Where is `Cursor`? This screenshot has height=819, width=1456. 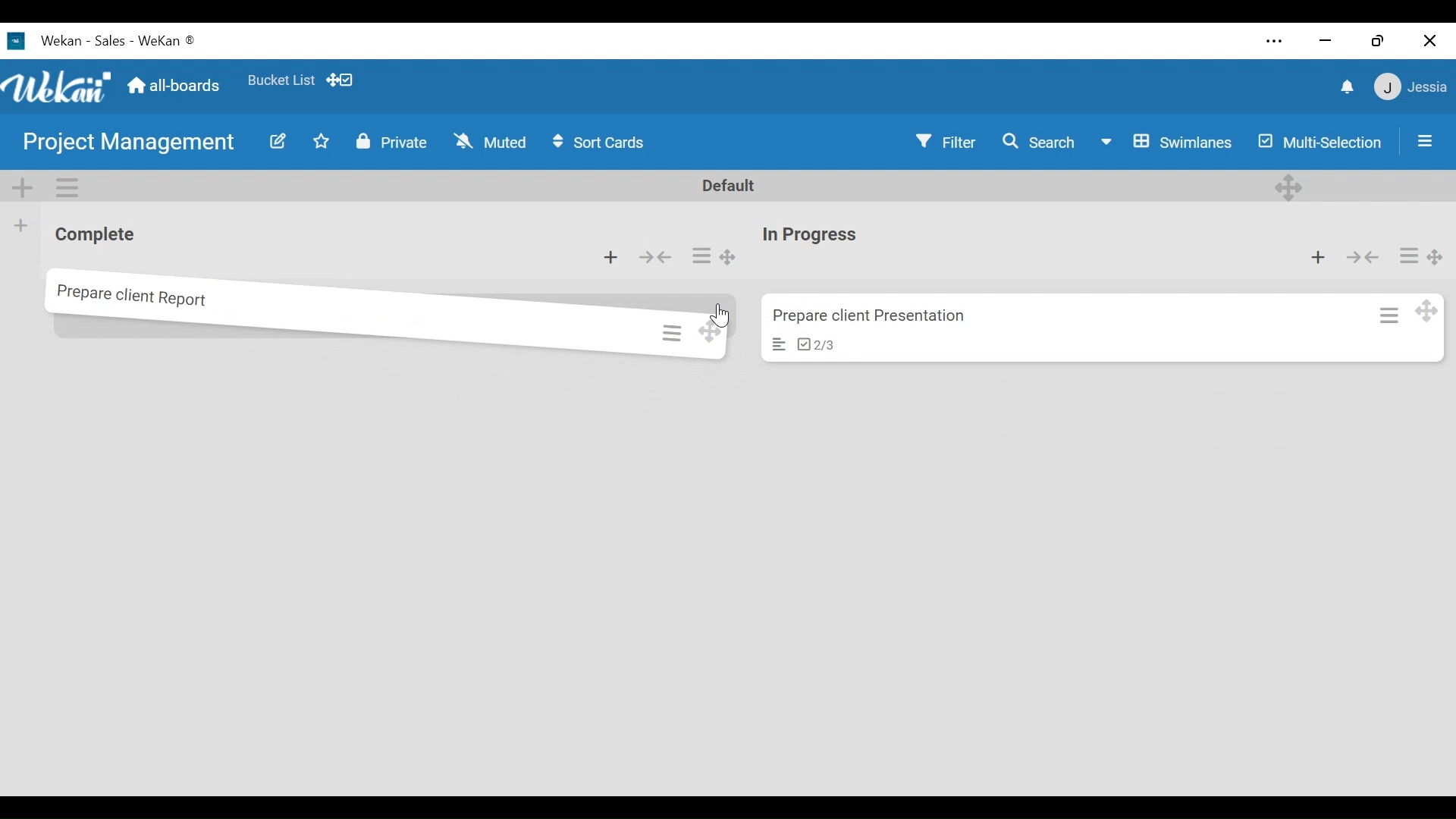 Cursor is located at coordinates (722, 308).